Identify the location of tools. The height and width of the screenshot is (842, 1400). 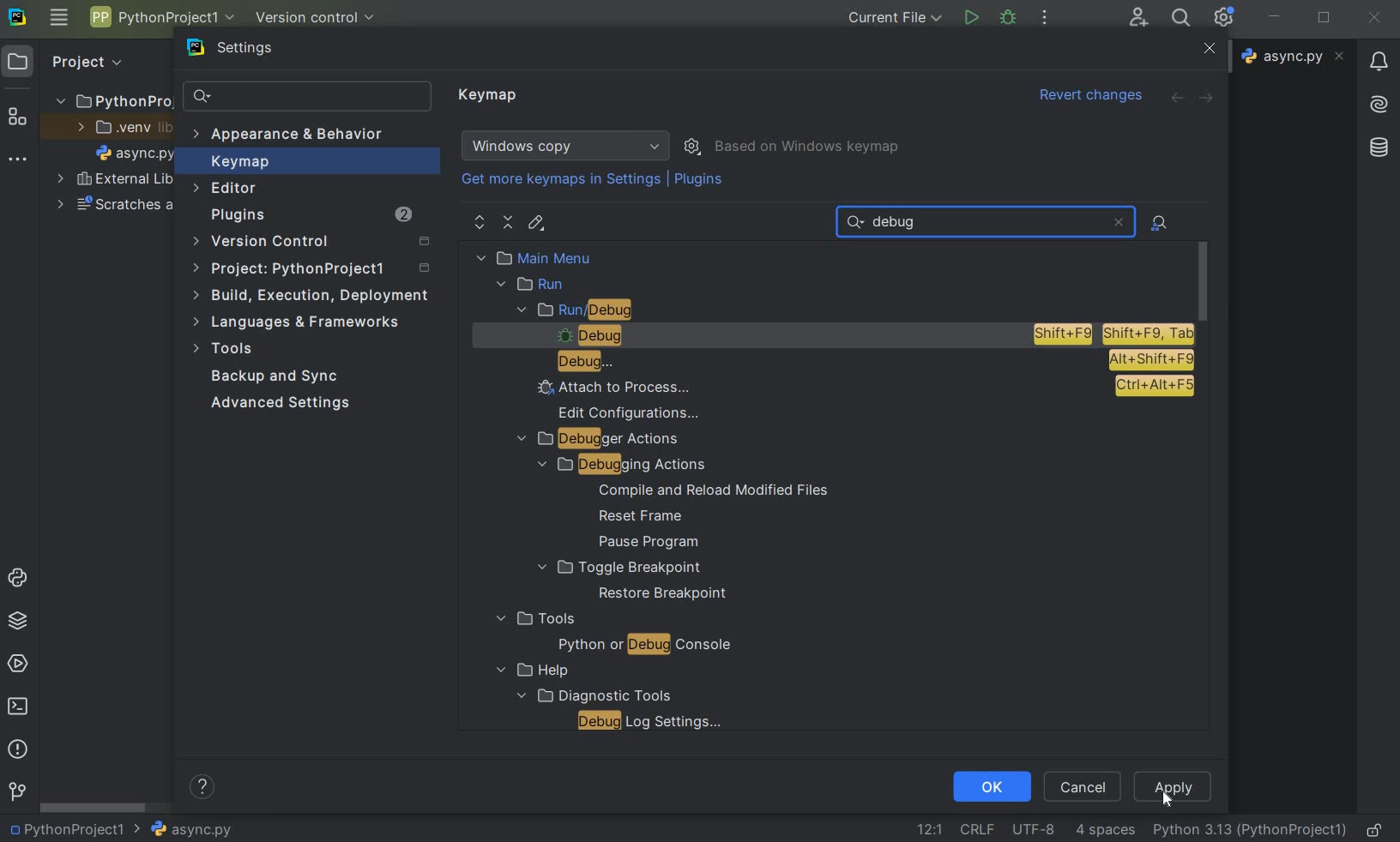
(534, 619).